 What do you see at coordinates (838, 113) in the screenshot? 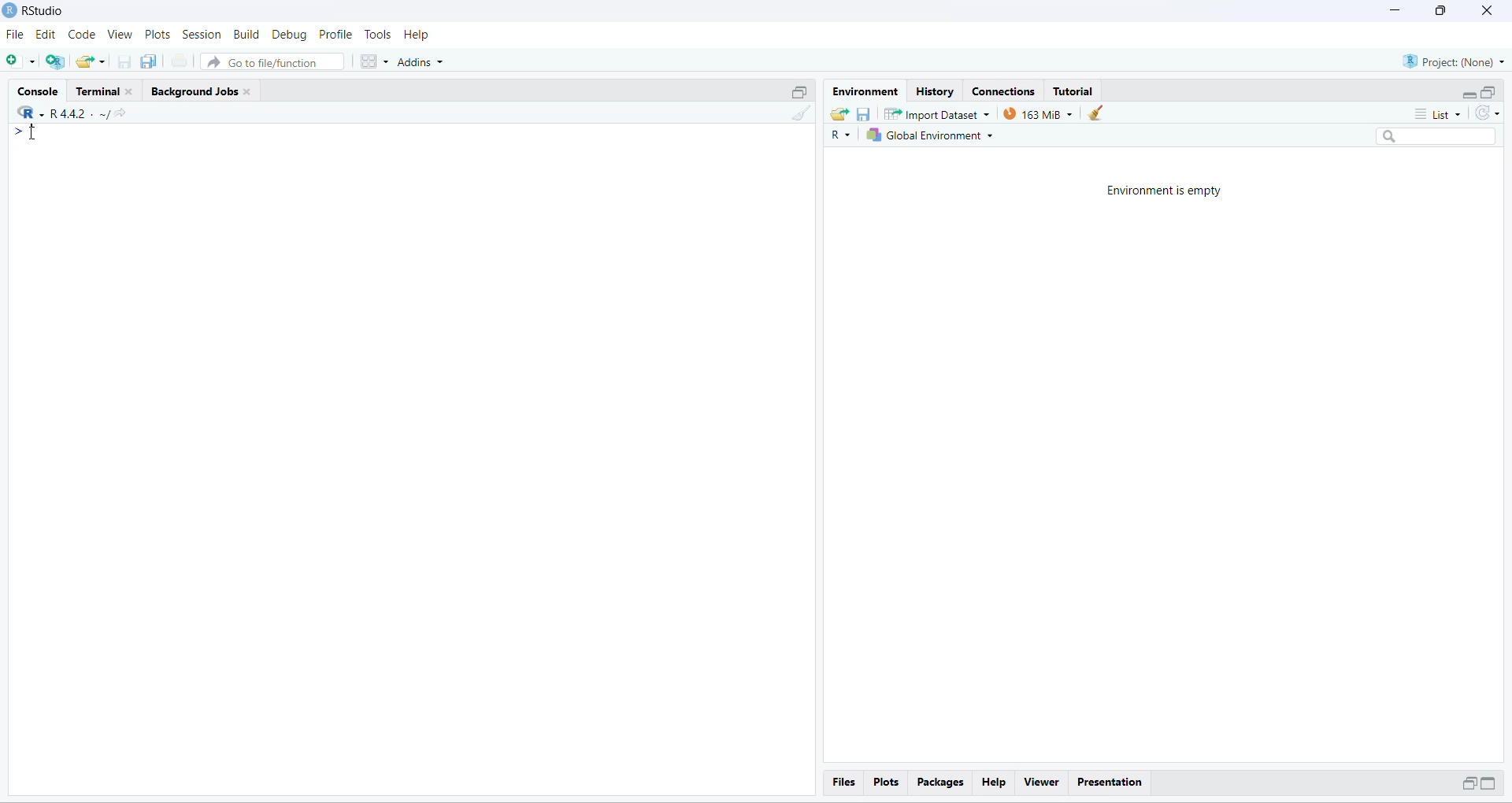
I see `load workspace` at bounding box center [838, 113].